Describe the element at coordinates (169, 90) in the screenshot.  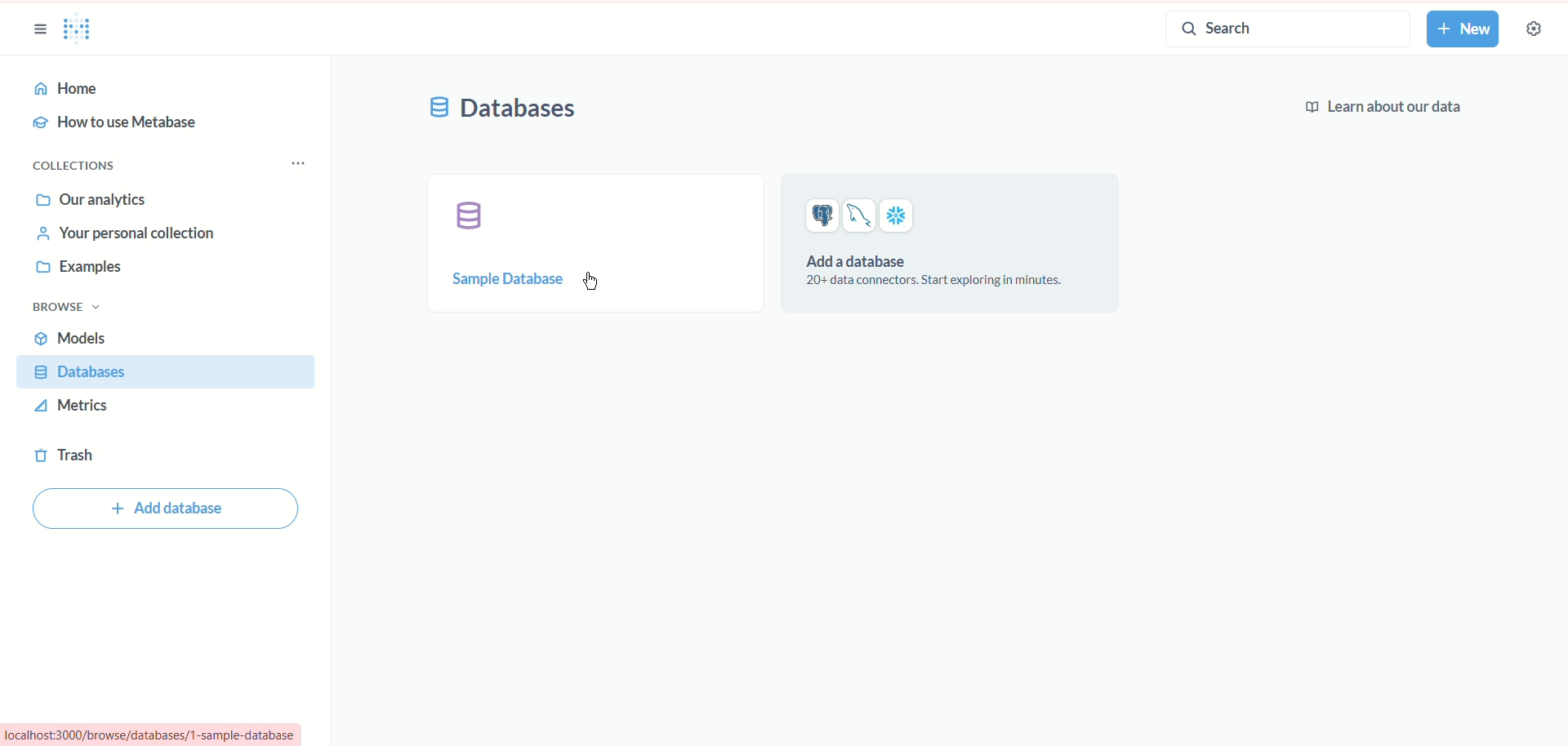
I see `home` at that location.